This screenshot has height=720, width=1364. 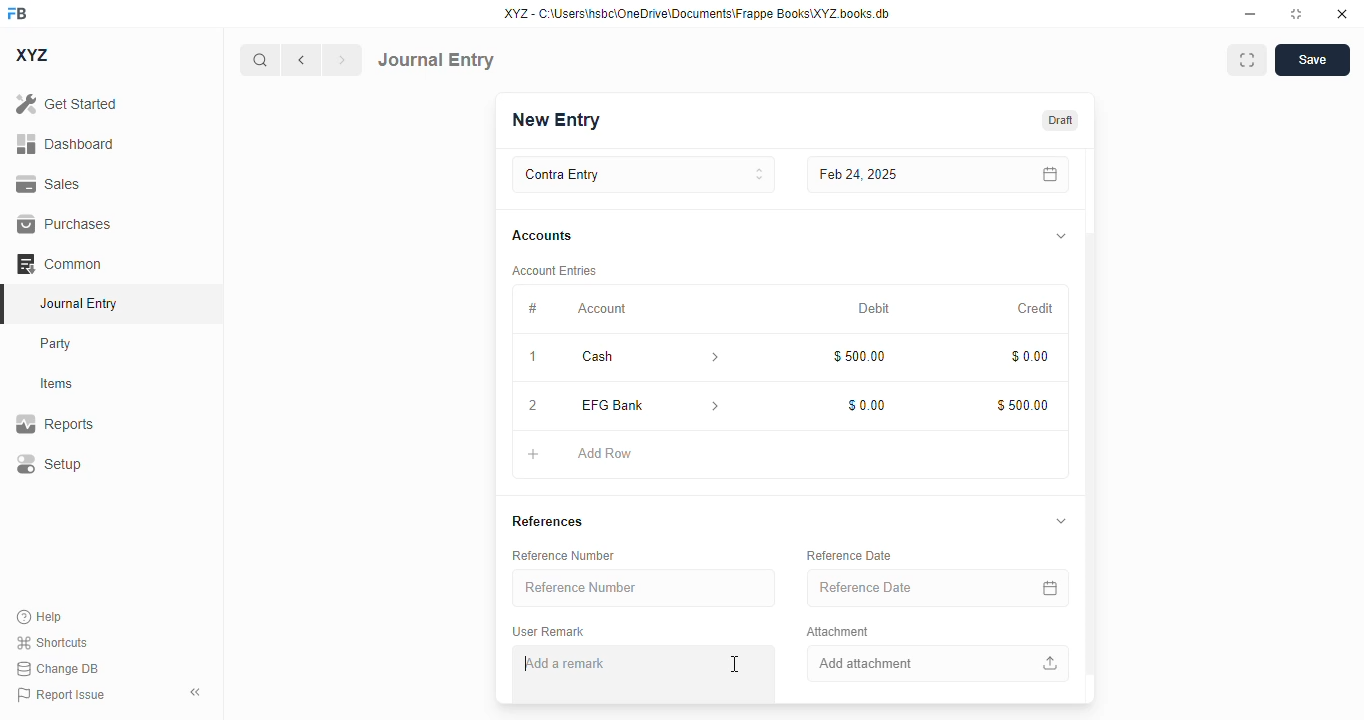 I want to click on reference number, so click(x=564, y=556).